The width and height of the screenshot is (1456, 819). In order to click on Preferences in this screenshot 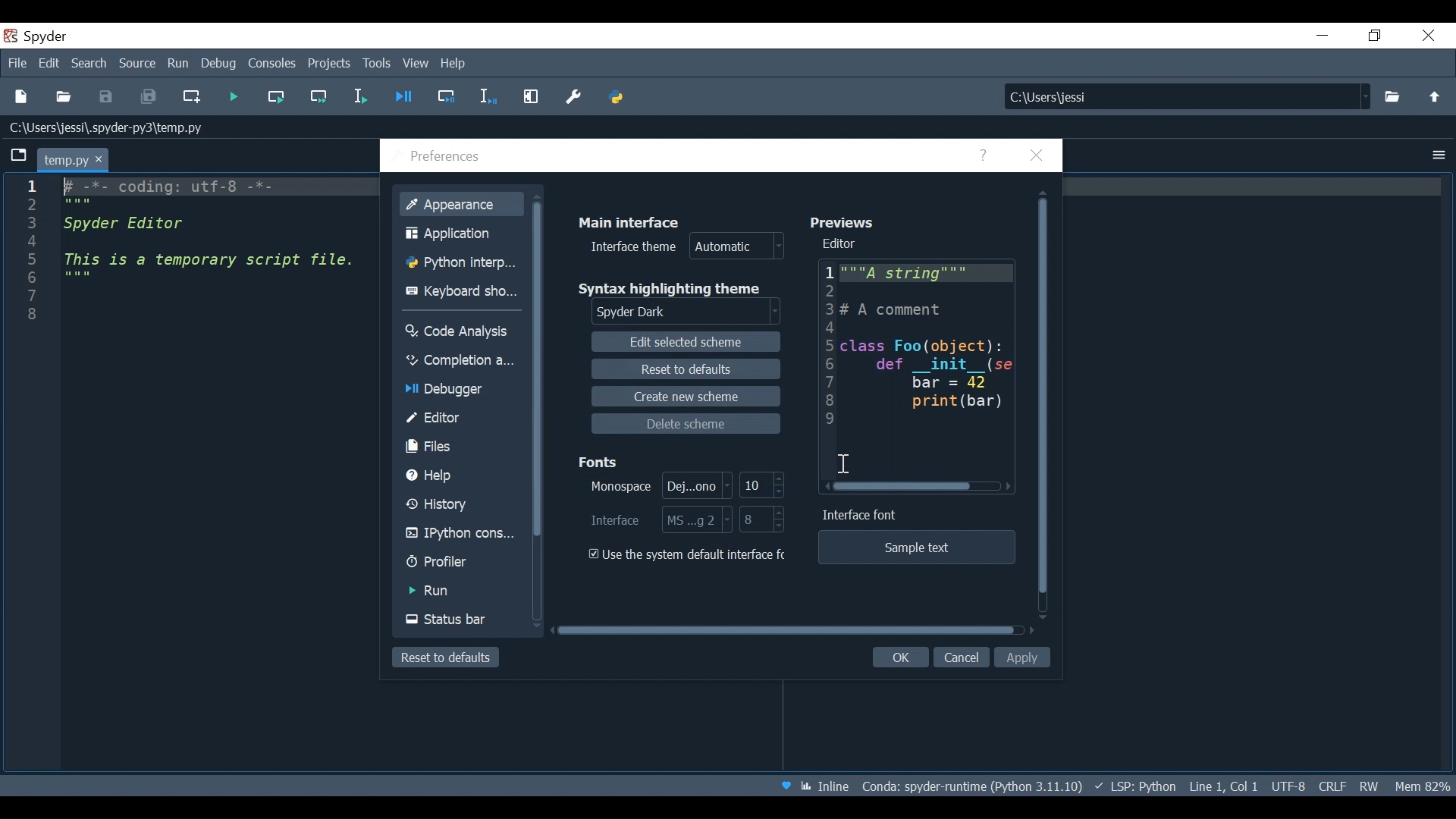, I will do `click(449, 156)`.